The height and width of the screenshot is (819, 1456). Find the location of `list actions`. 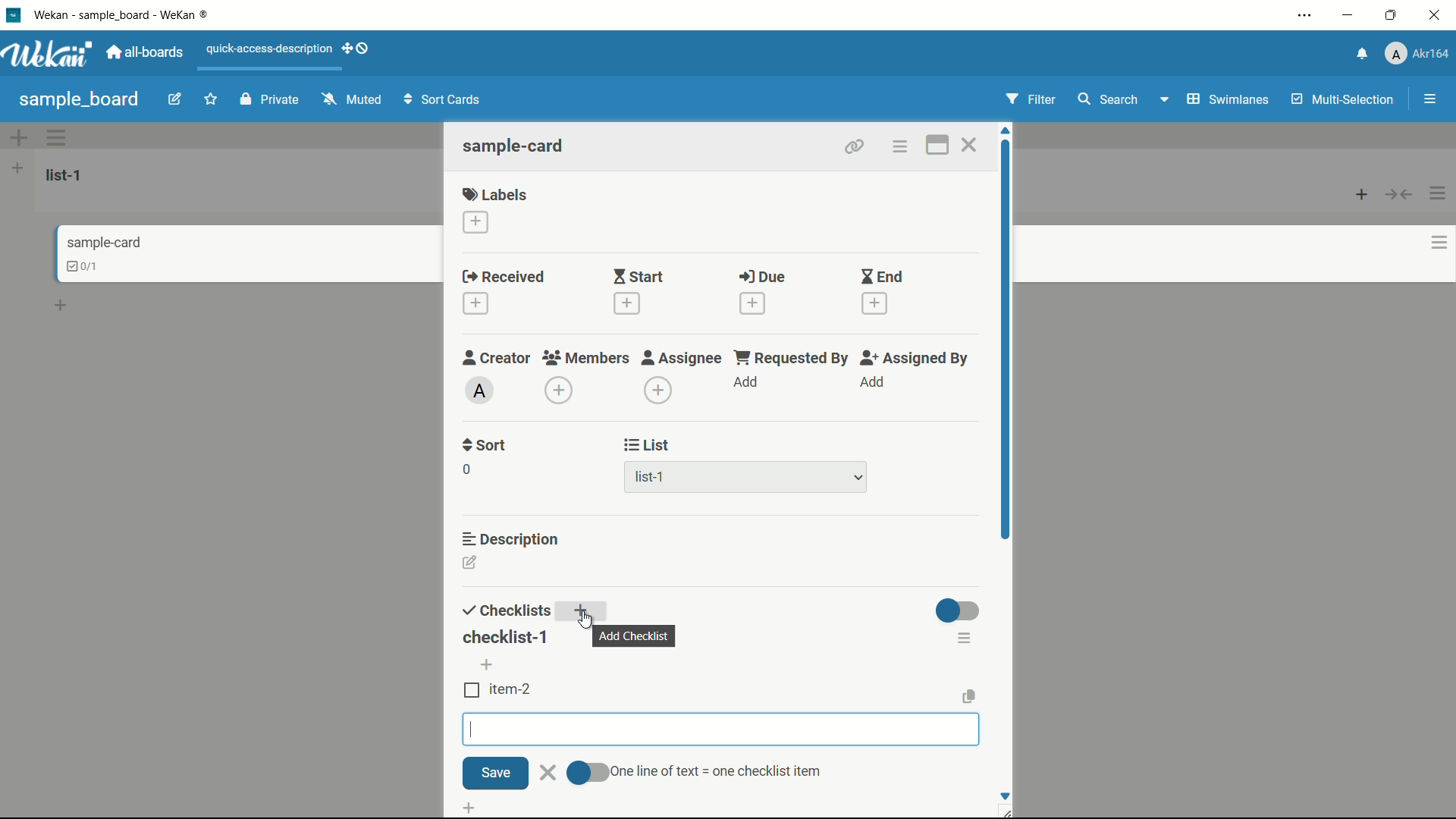

list actions is located at coordinates (1439, 193).